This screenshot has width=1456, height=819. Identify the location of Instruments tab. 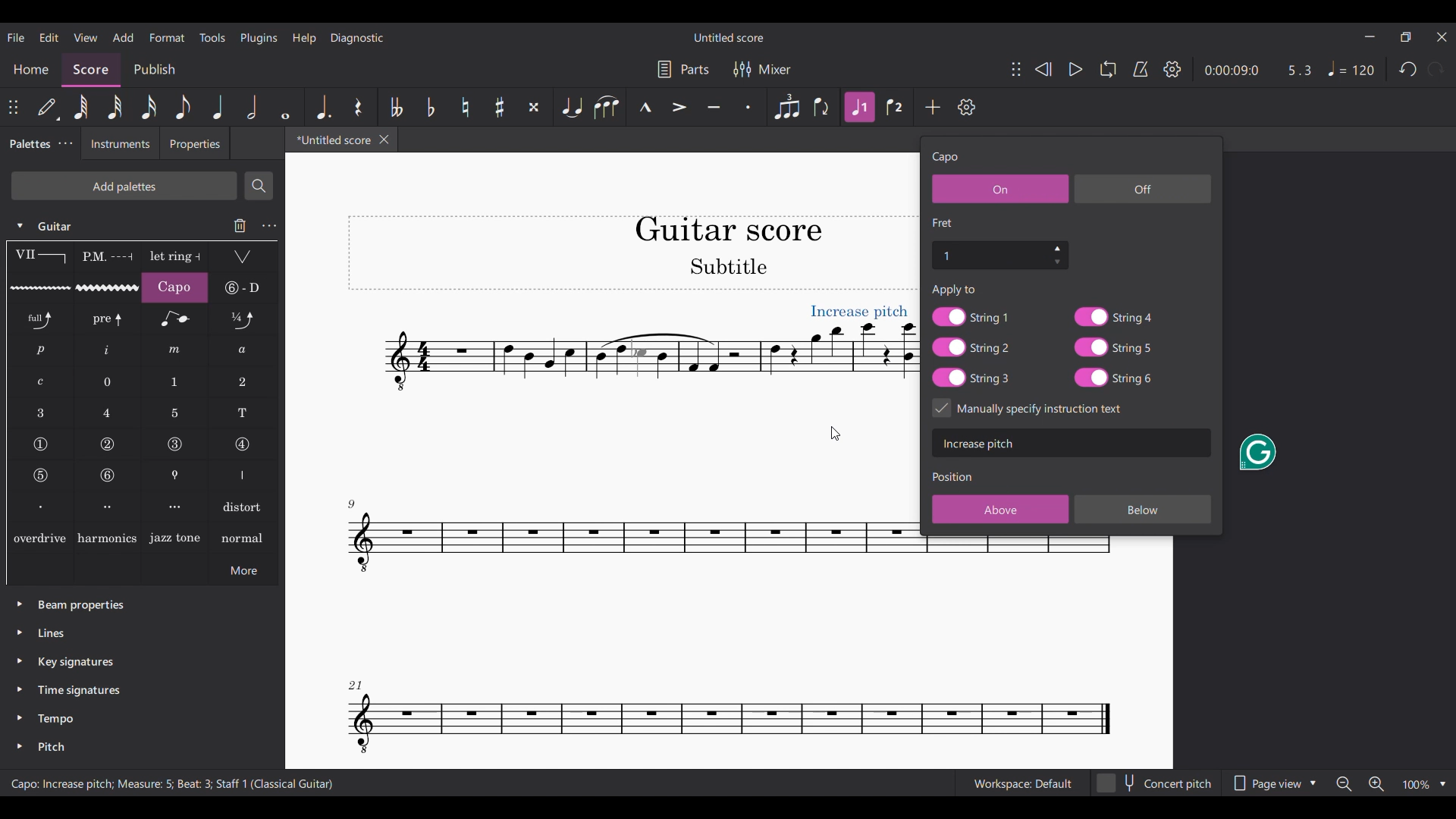
(120, 143).